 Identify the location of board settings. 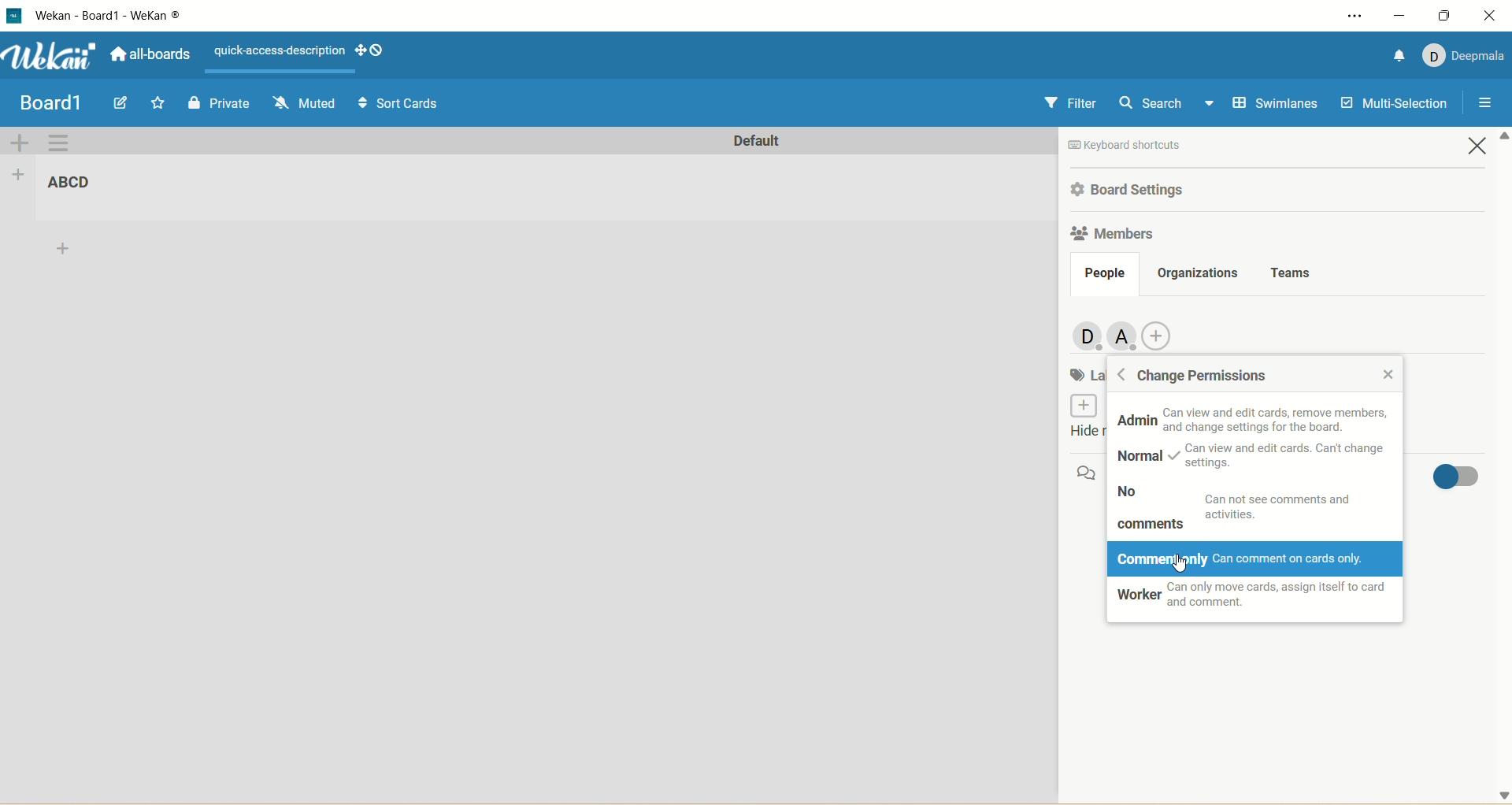
(1133, 189).